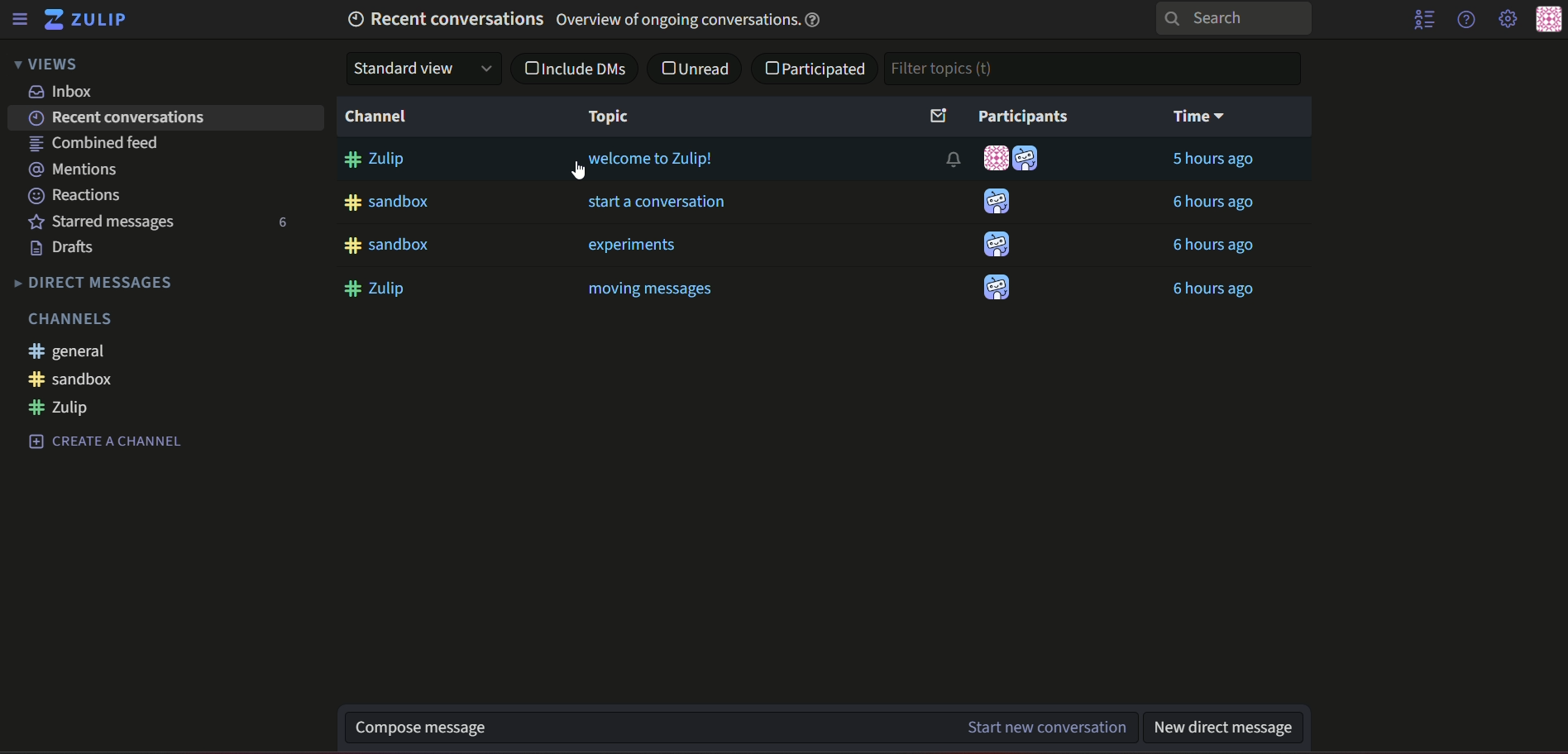 The width and height of the screenshot is (1568, 754). I want to click on main menu, so click(1506, 19).